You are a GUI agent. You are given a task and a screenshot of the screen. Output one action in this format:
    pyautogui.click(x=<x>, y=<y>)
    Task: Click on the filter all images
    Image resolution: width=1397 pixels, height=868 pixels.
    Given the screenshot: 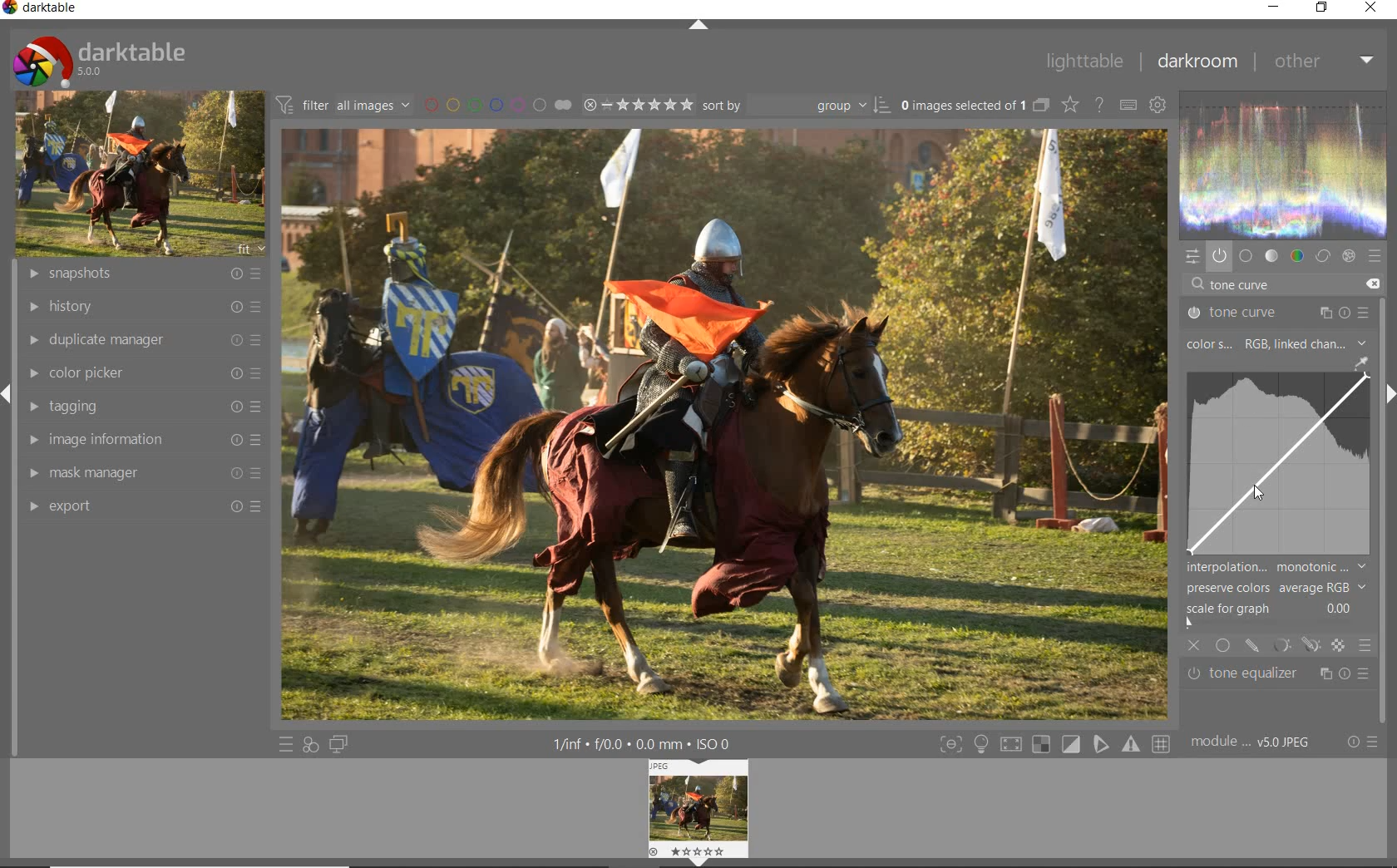 What is the action you would take?
    pyautogui.click(x=343, y=105)
    